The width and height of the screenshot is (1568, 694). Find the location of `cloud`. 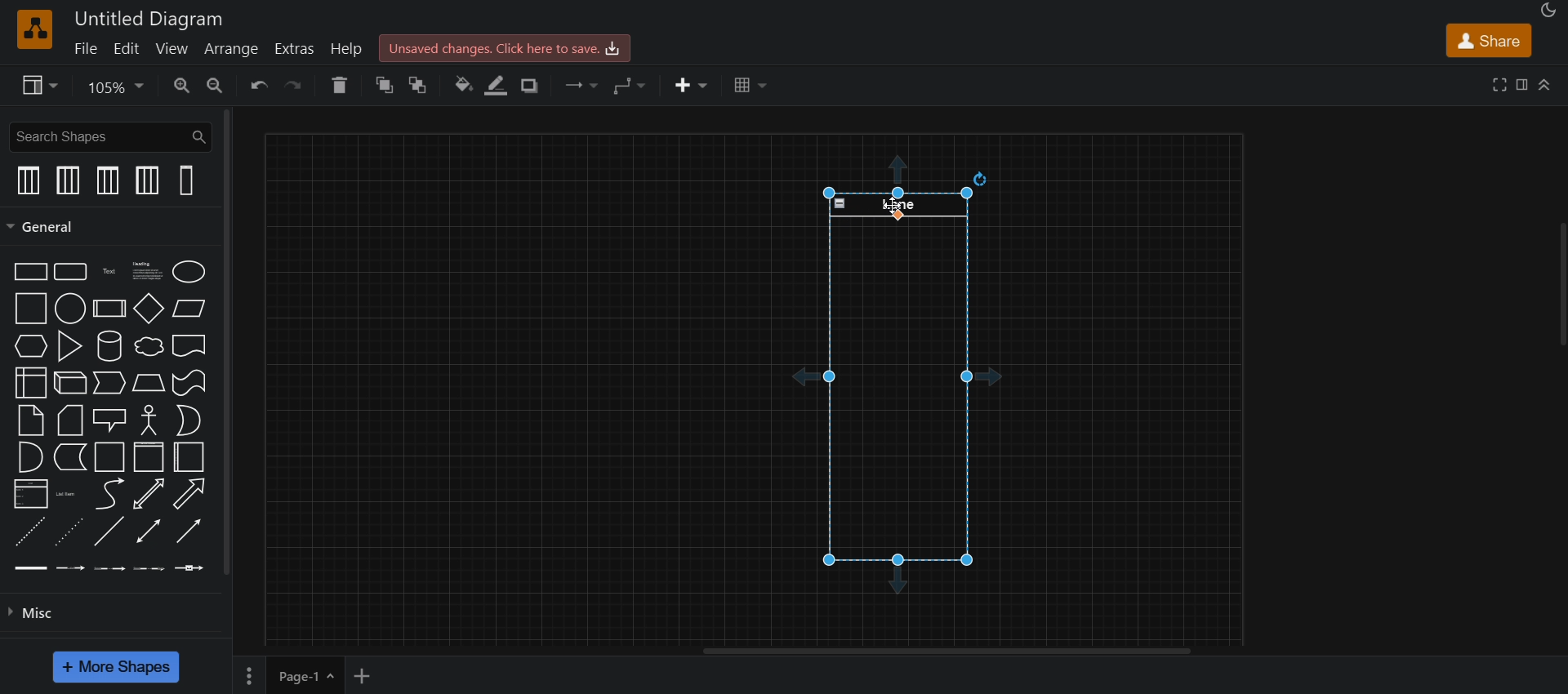

cloud is located at coordinates (147, 347).